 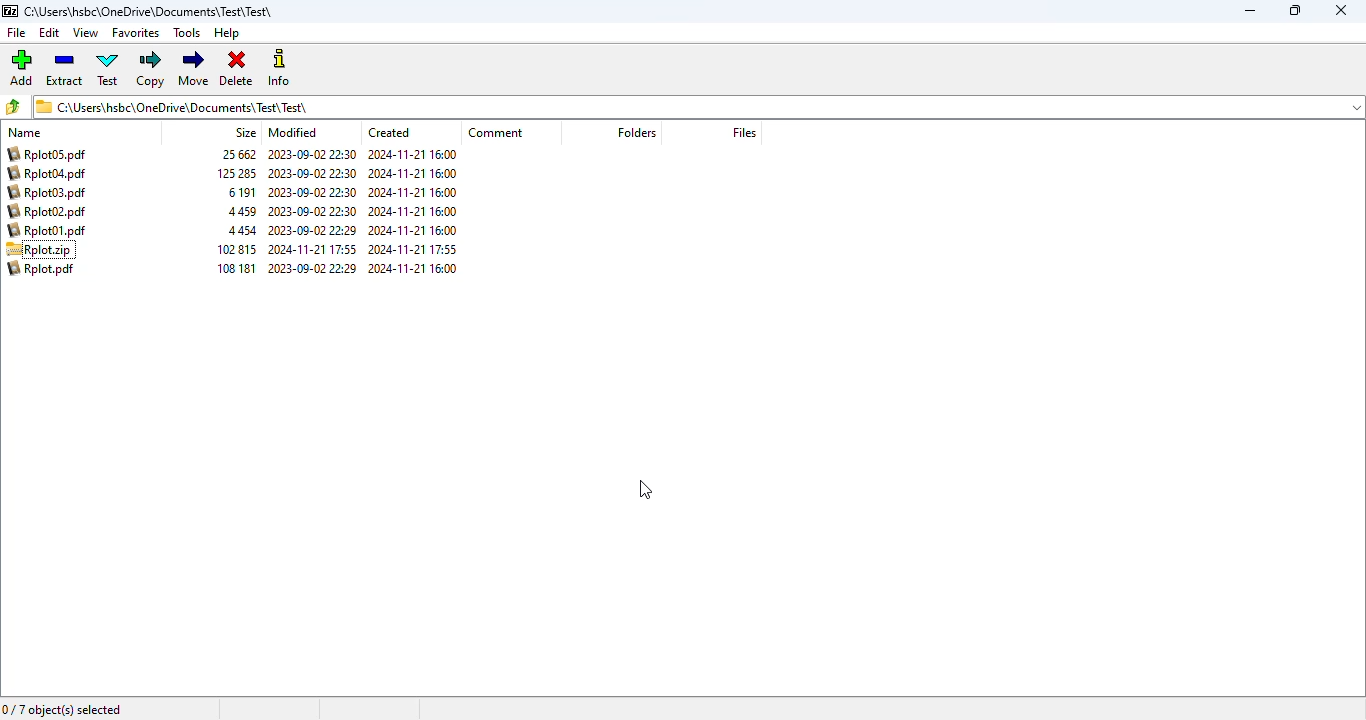 I want to click on minimize, so click(x=1250, y=11).